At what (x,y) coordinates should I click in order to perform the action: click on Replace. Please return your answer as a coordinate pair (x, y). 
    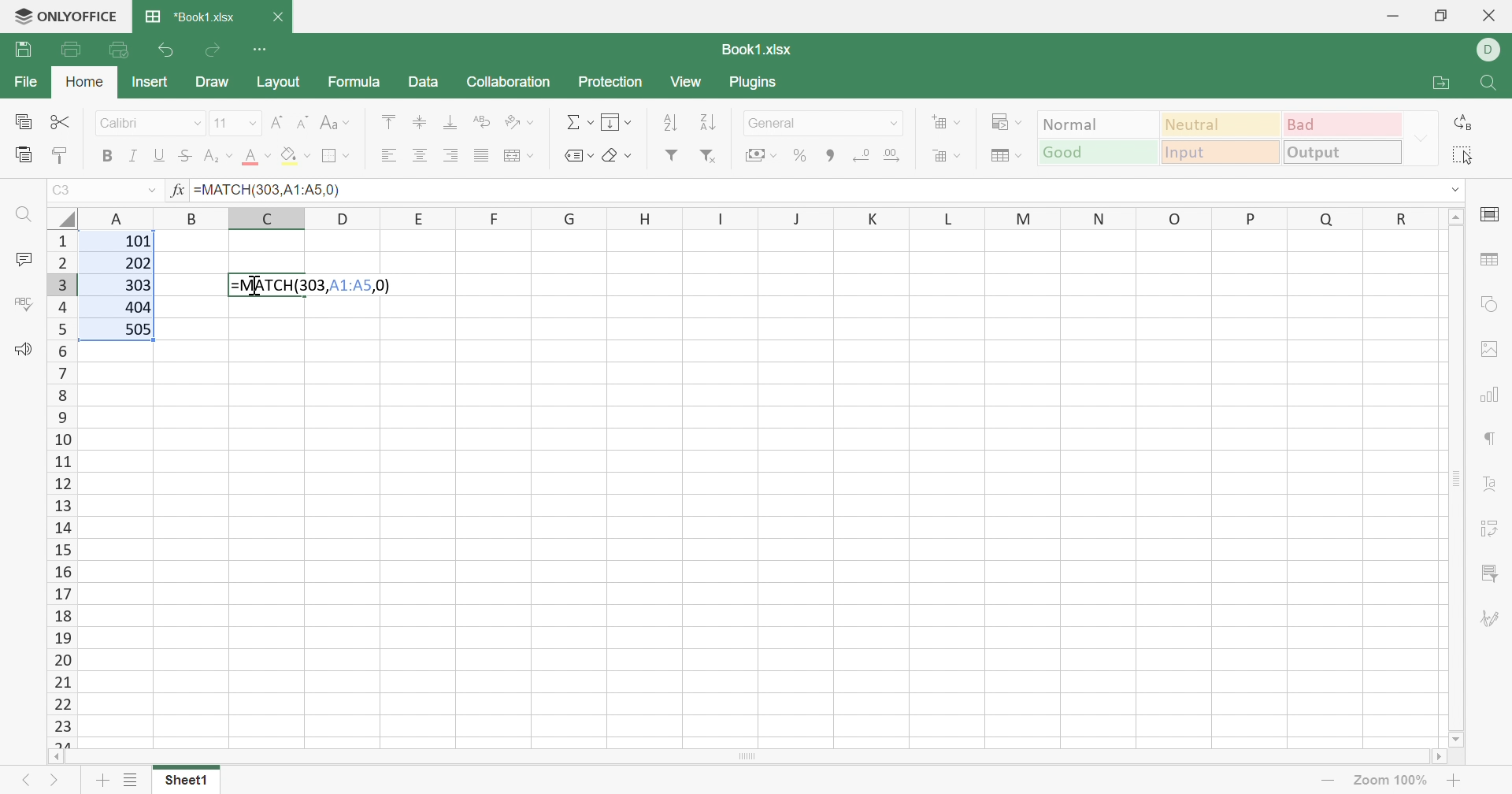
    Looking at the image, I should click on (1466, 122).